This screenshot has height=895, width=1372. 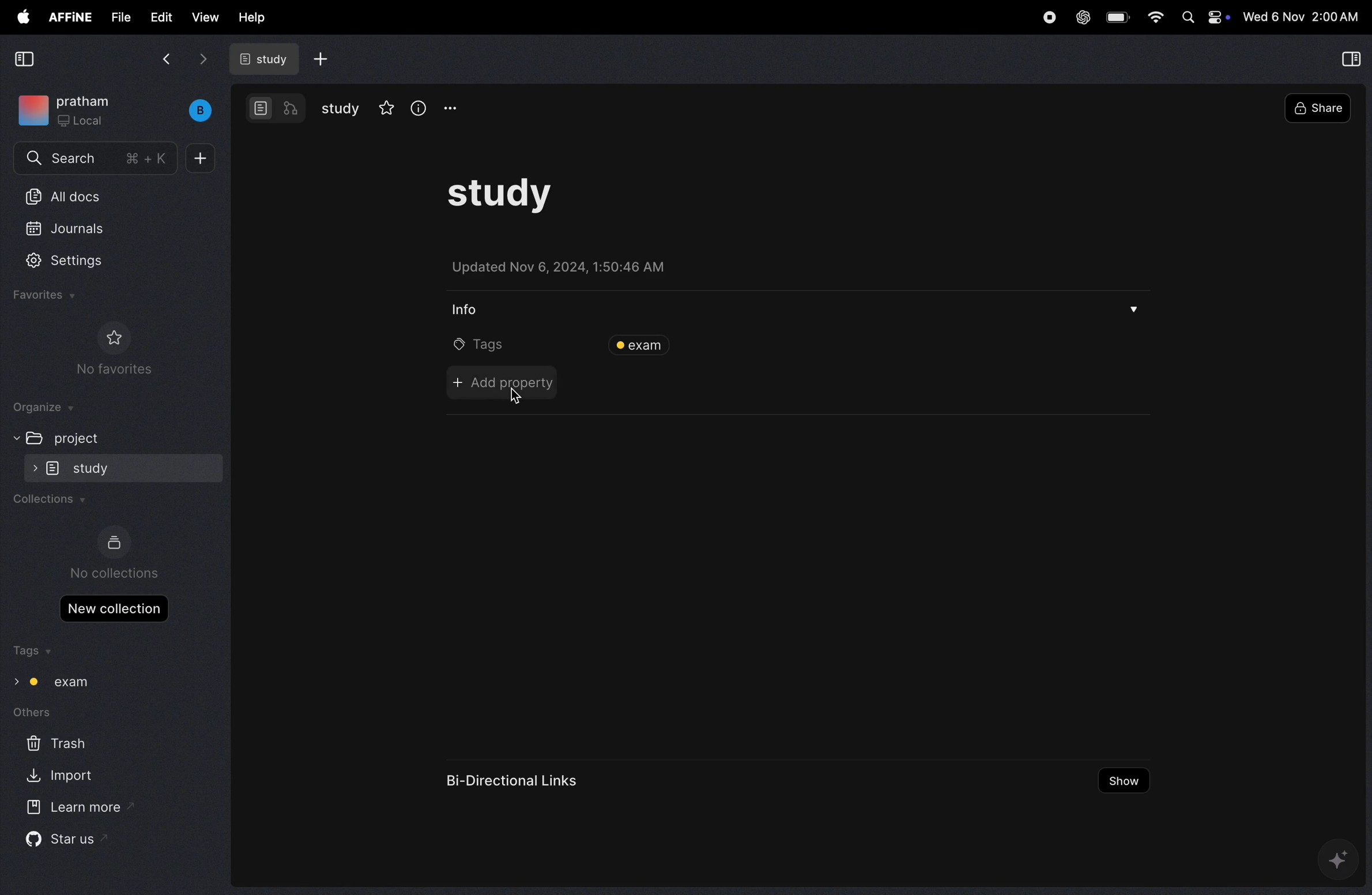 What do you see at coordinates (205, 18) in the screenshot?
I see `view` at bounding box center [205, 18].